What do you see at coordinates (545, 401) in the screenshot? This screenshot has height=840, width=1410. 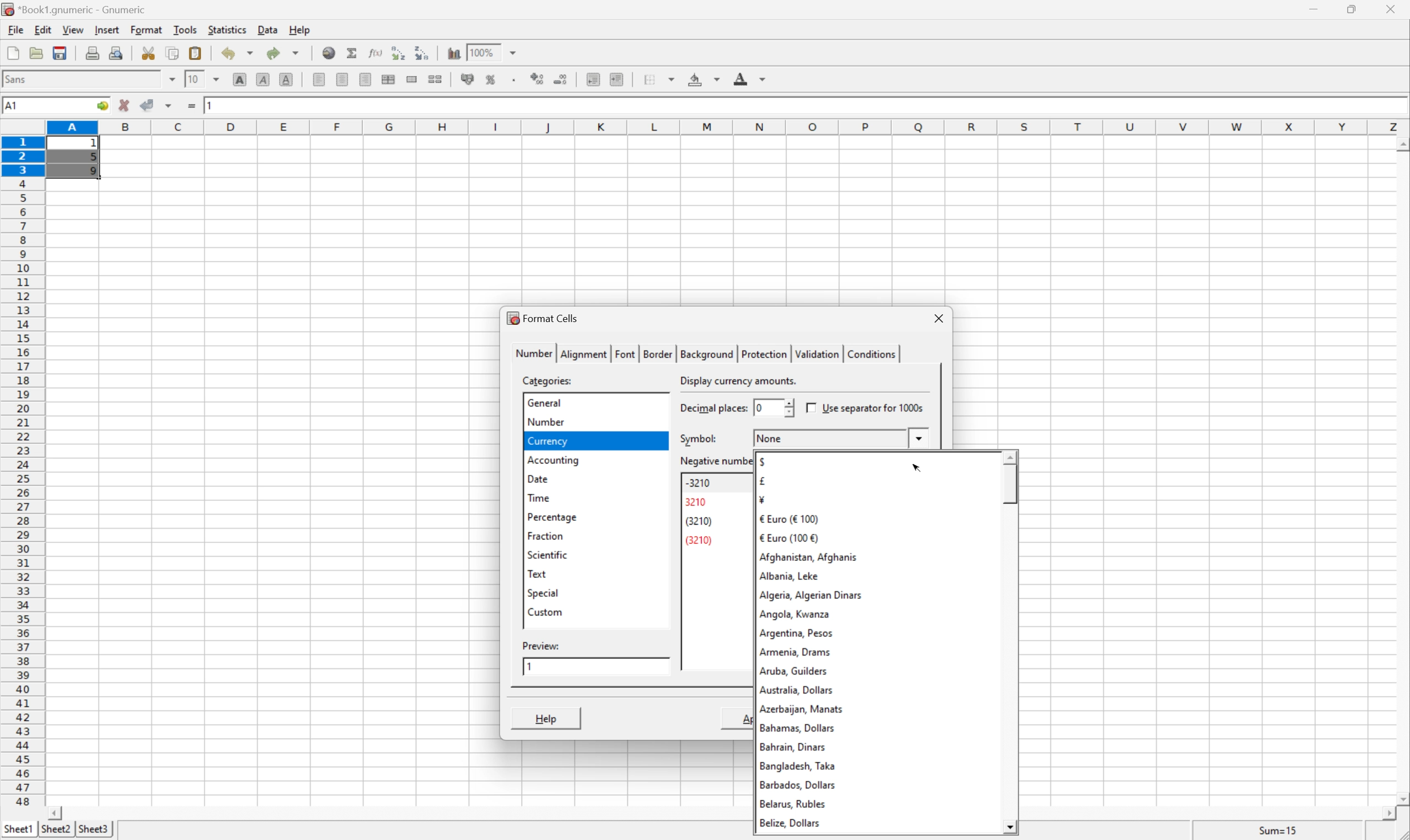 I see `general` at bounding box center [545, 401].